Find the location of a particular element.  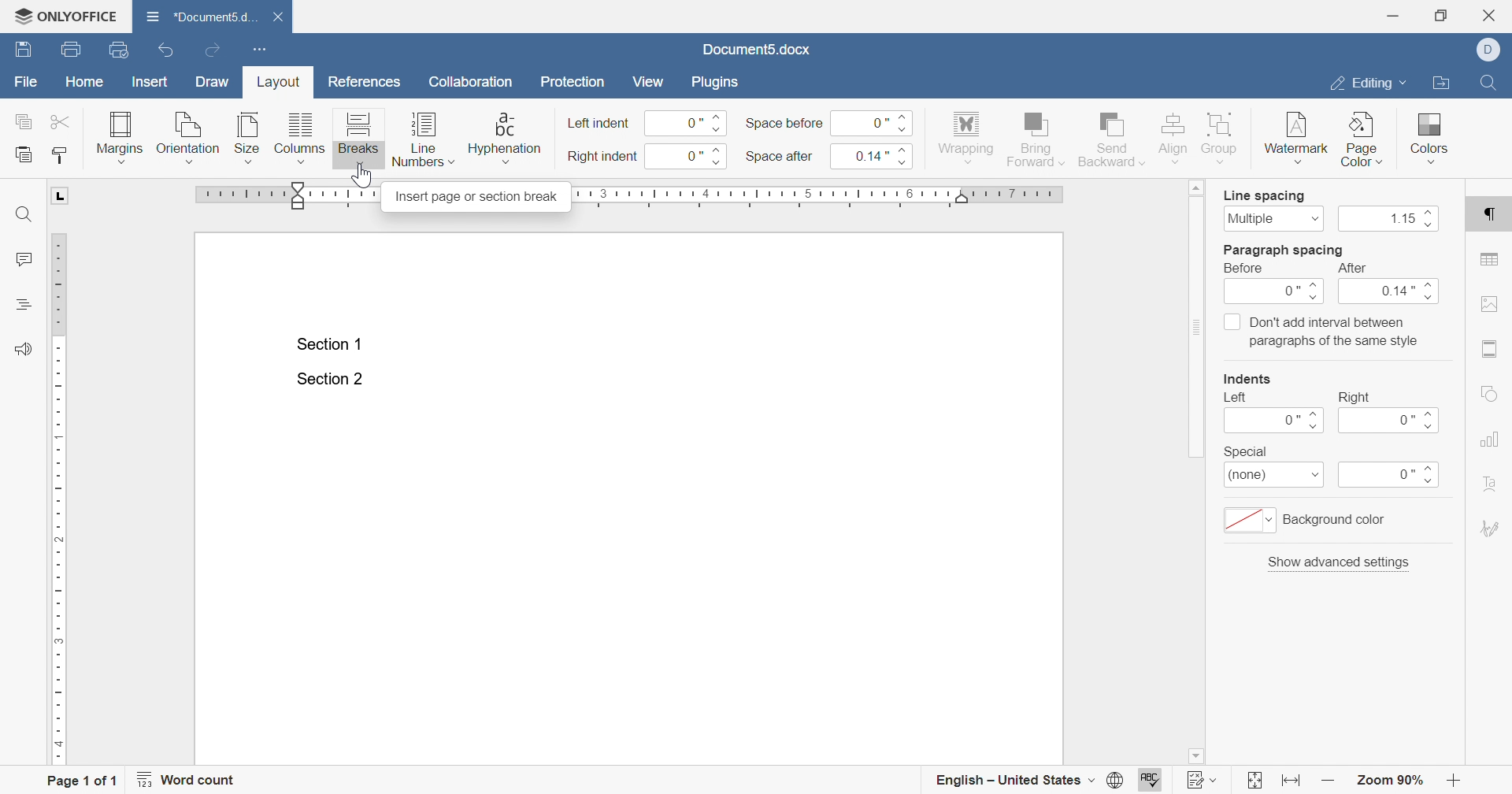

zoom in is located at coordinates (1329, 781).